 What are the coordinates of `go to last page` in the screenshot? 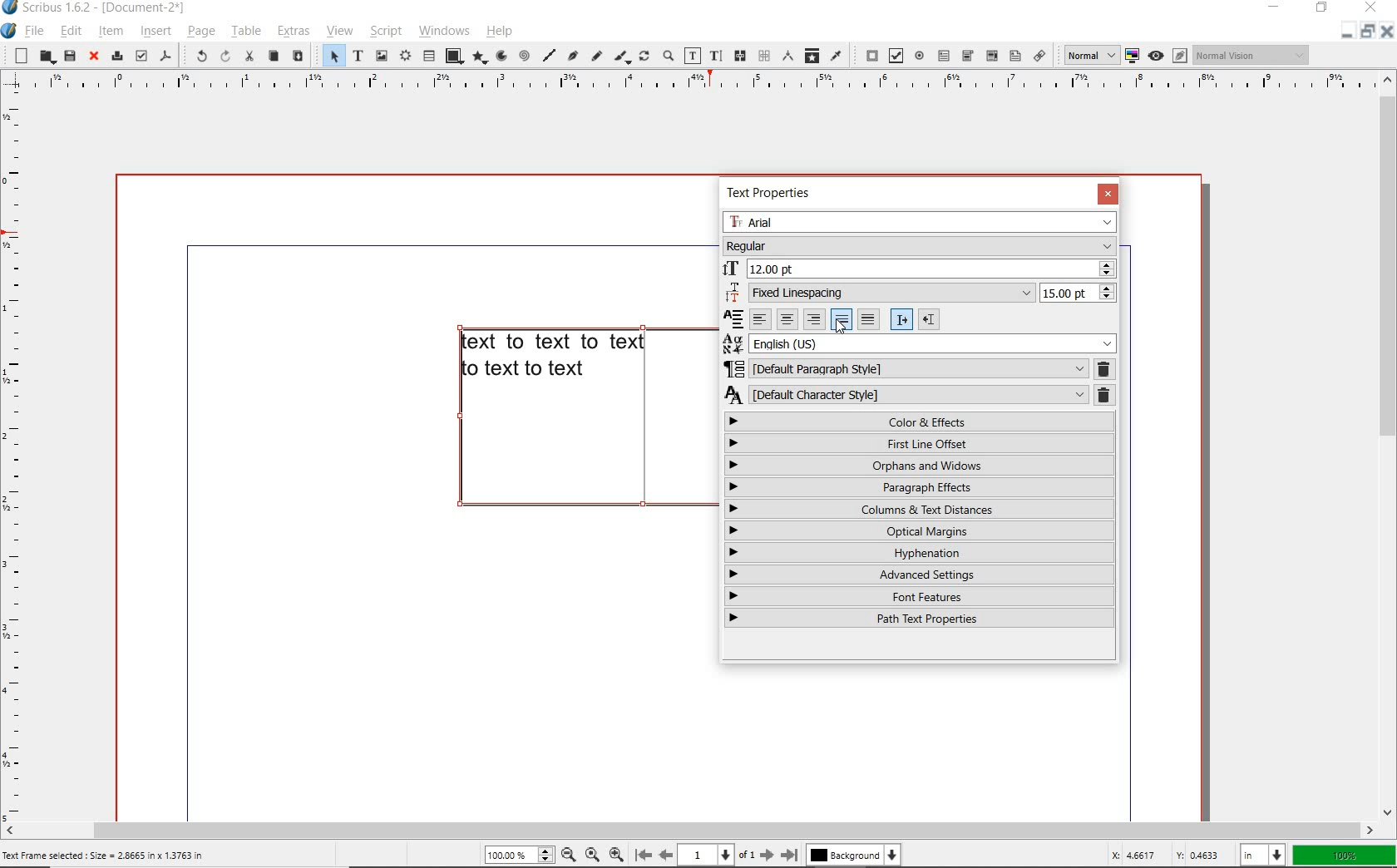 It's located at (790, 852).